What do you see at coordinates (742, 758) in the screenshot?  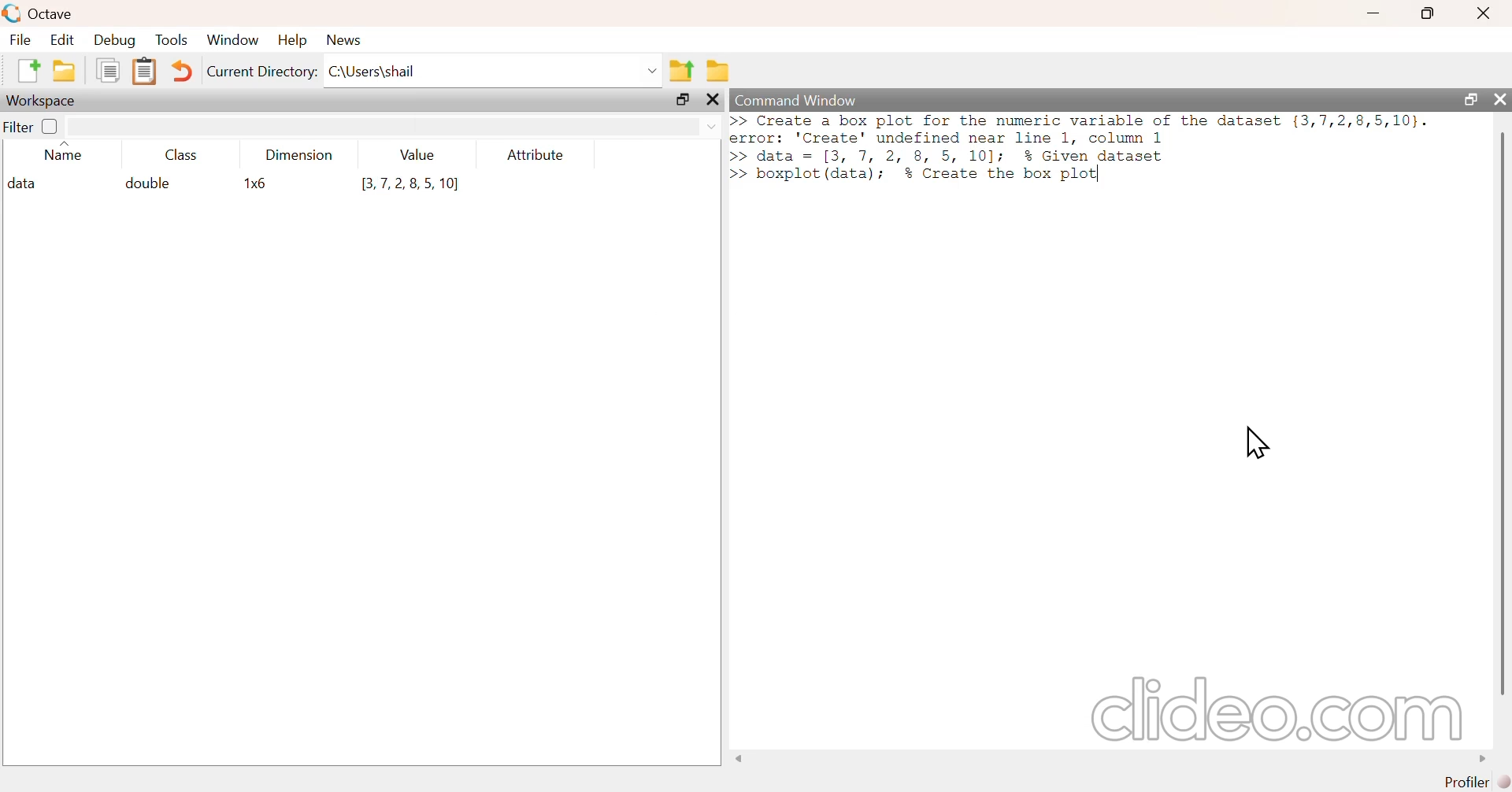 I see `move left` at bounding box center [742, 758].